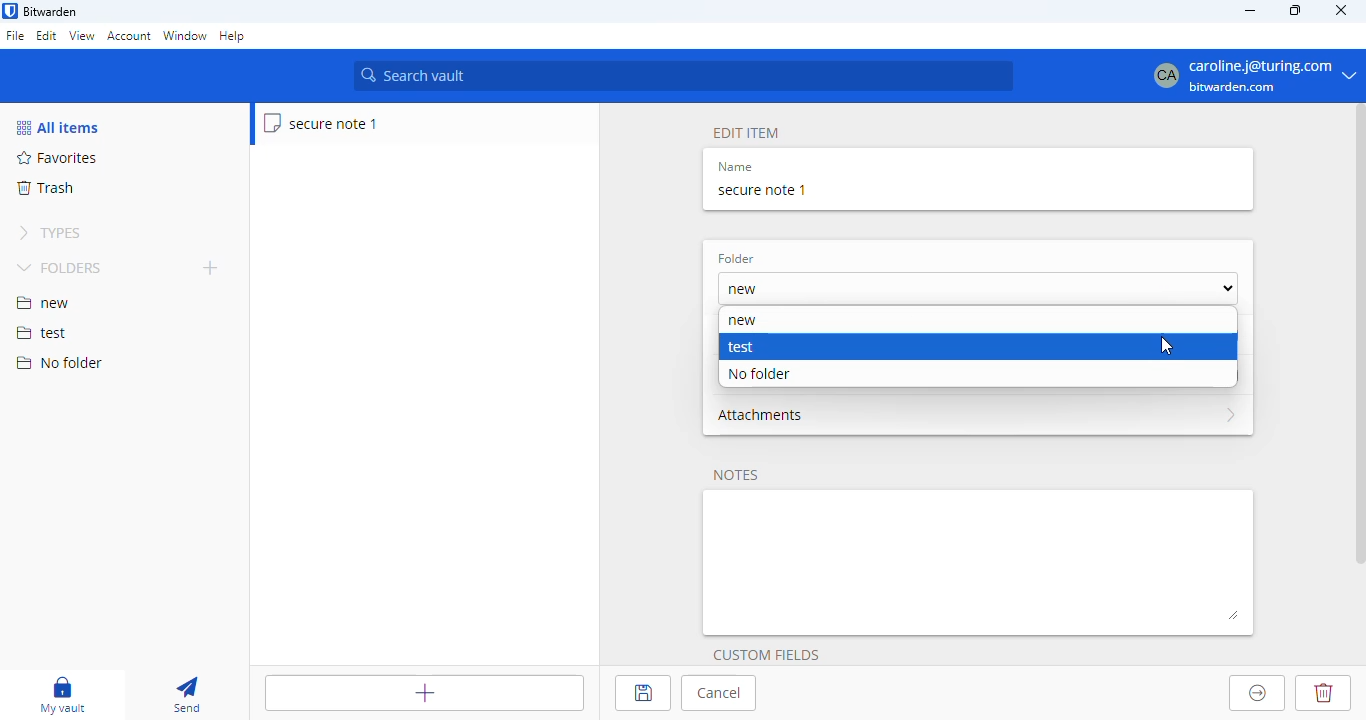  I want to click on folder, so click(736, 259).